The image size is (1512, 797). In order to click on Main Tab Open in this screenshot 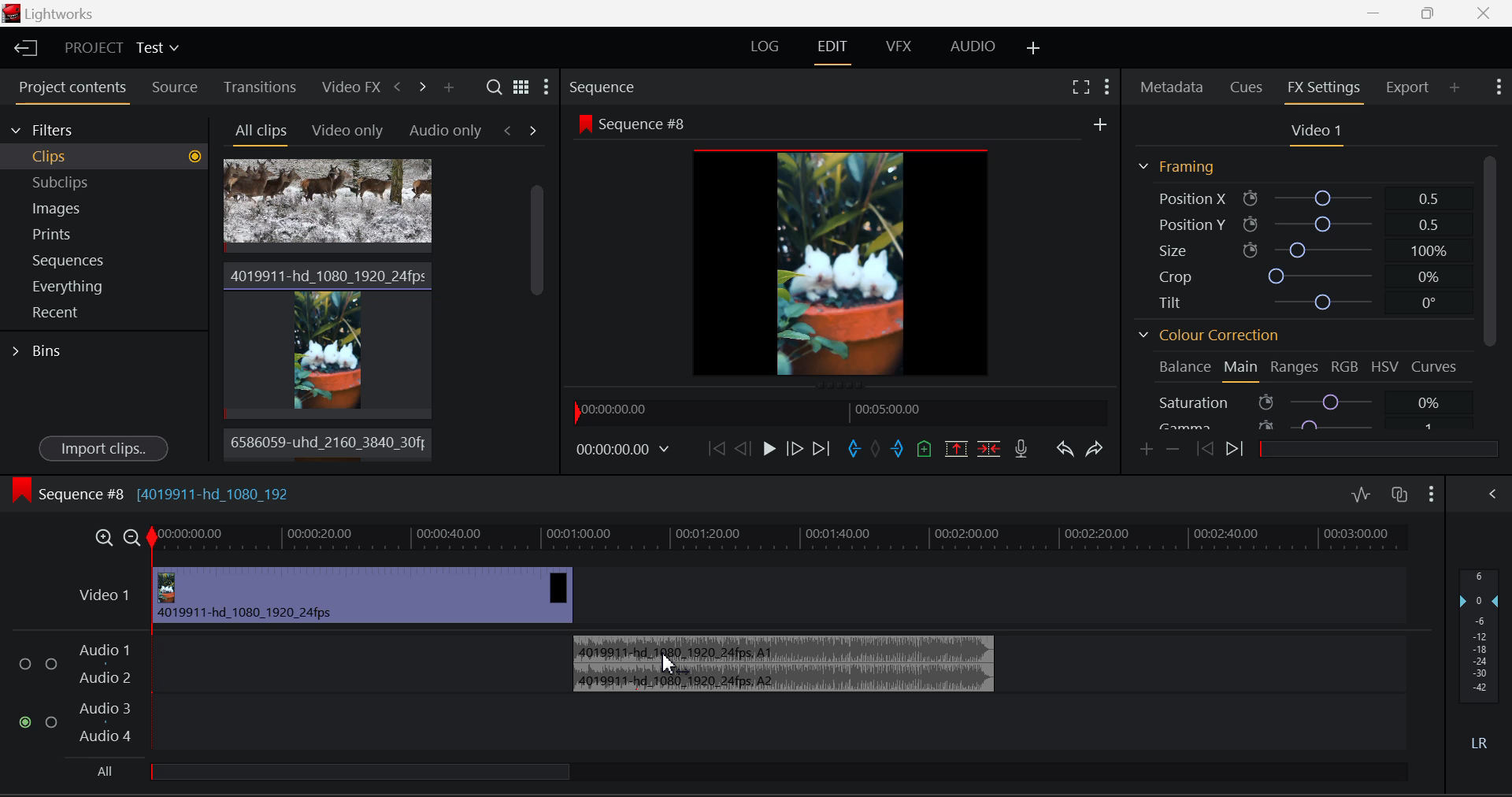, I will do `click(1242, 369)`.